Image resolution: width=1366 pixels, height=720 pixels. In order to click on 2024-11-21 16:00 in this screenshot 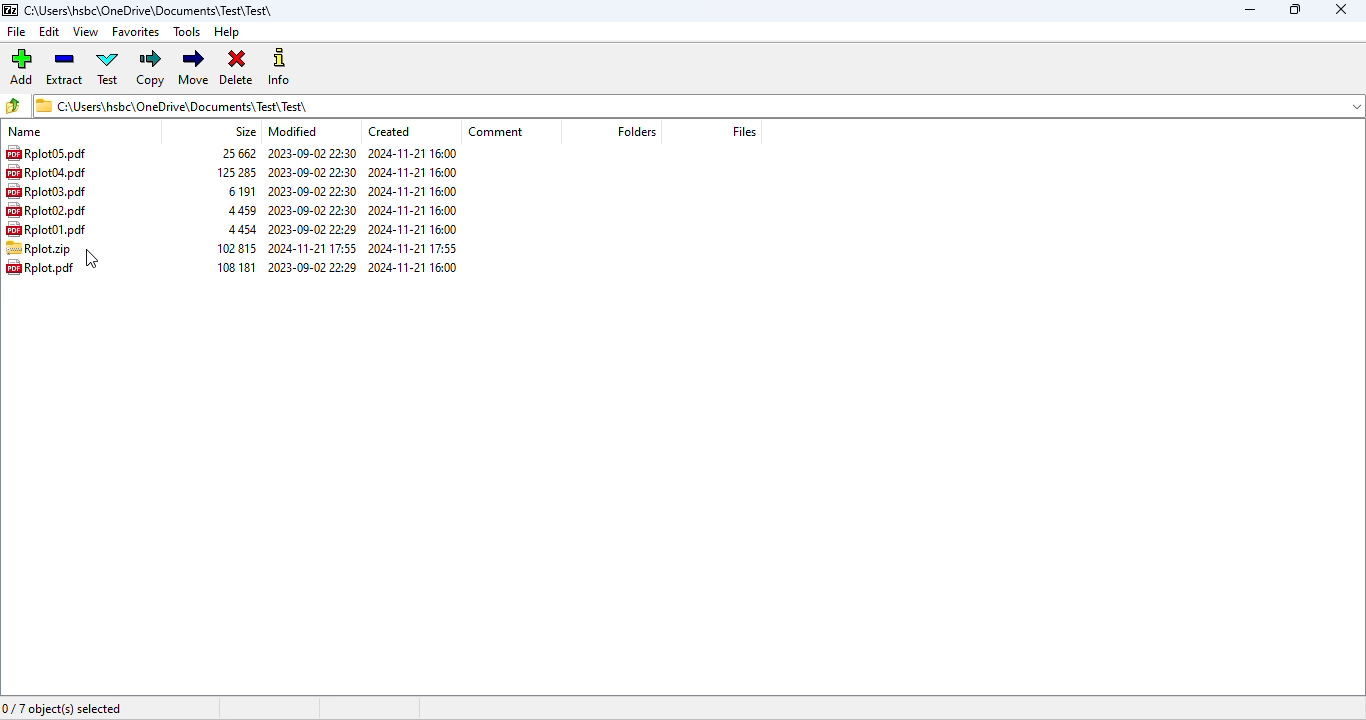, I will do `click(415, 190)`.